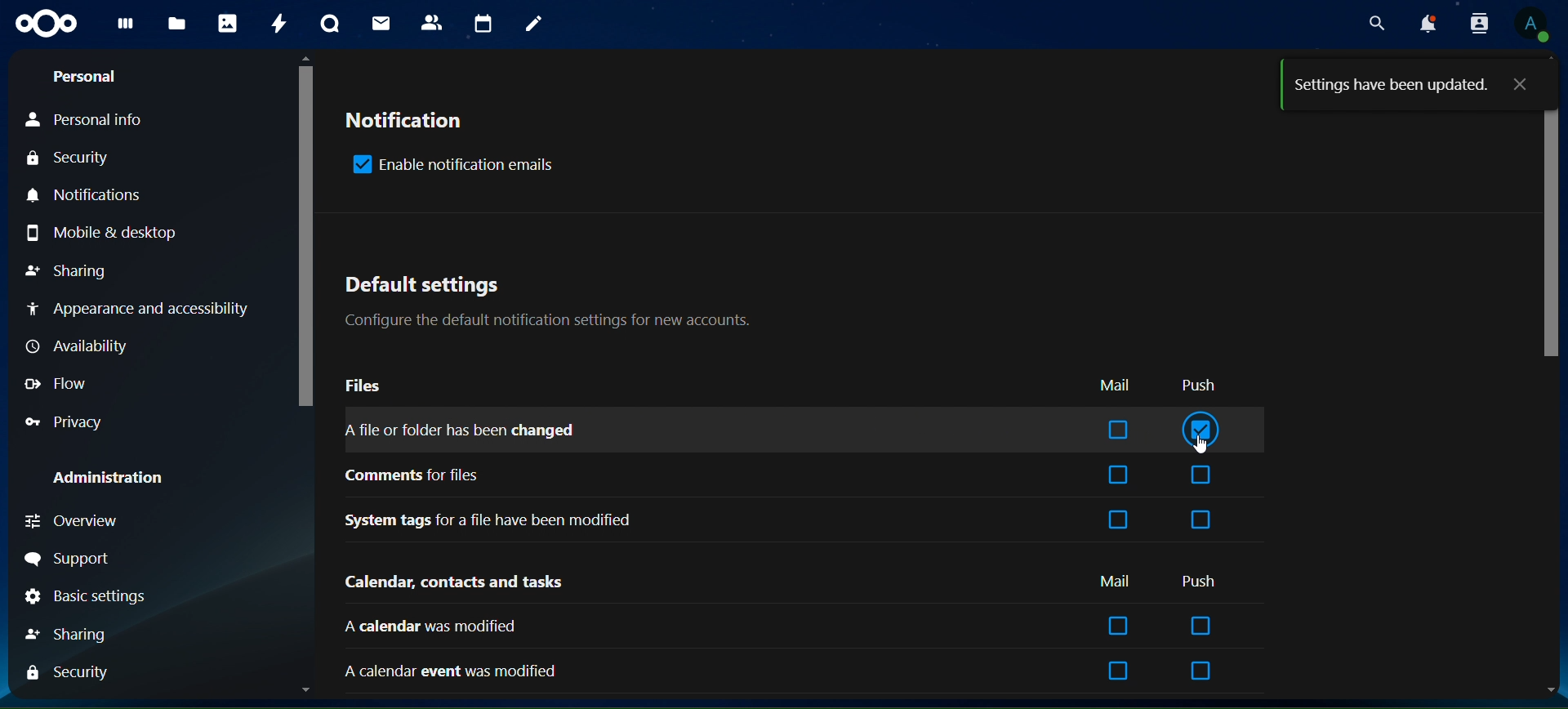 The image size is (1568, 709). Describe the element at coordinates (1525, 85) in the screenshot. I see `close` at that location.